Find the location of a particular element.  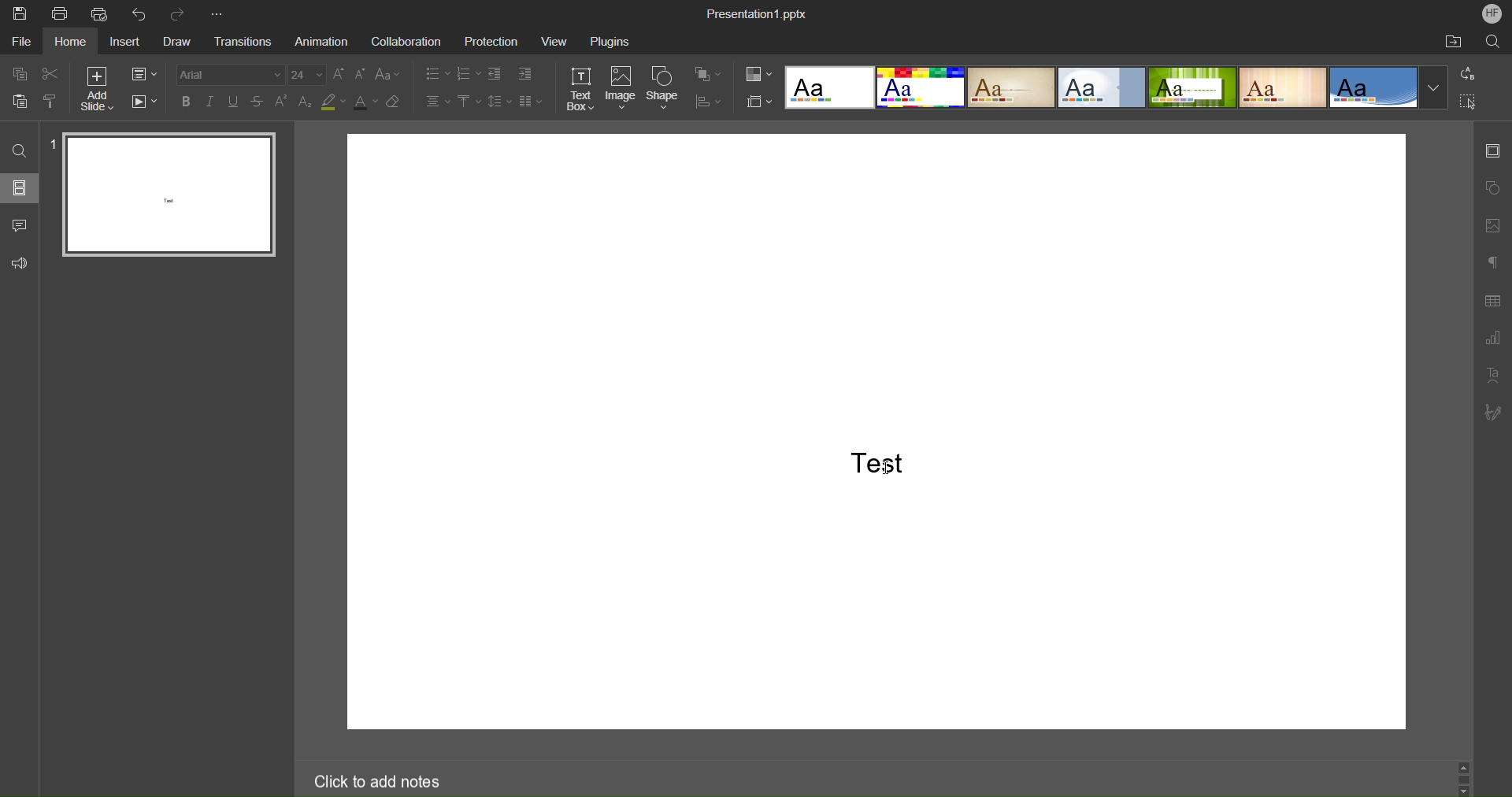

Copy Style is located at coordinates (51, 101).